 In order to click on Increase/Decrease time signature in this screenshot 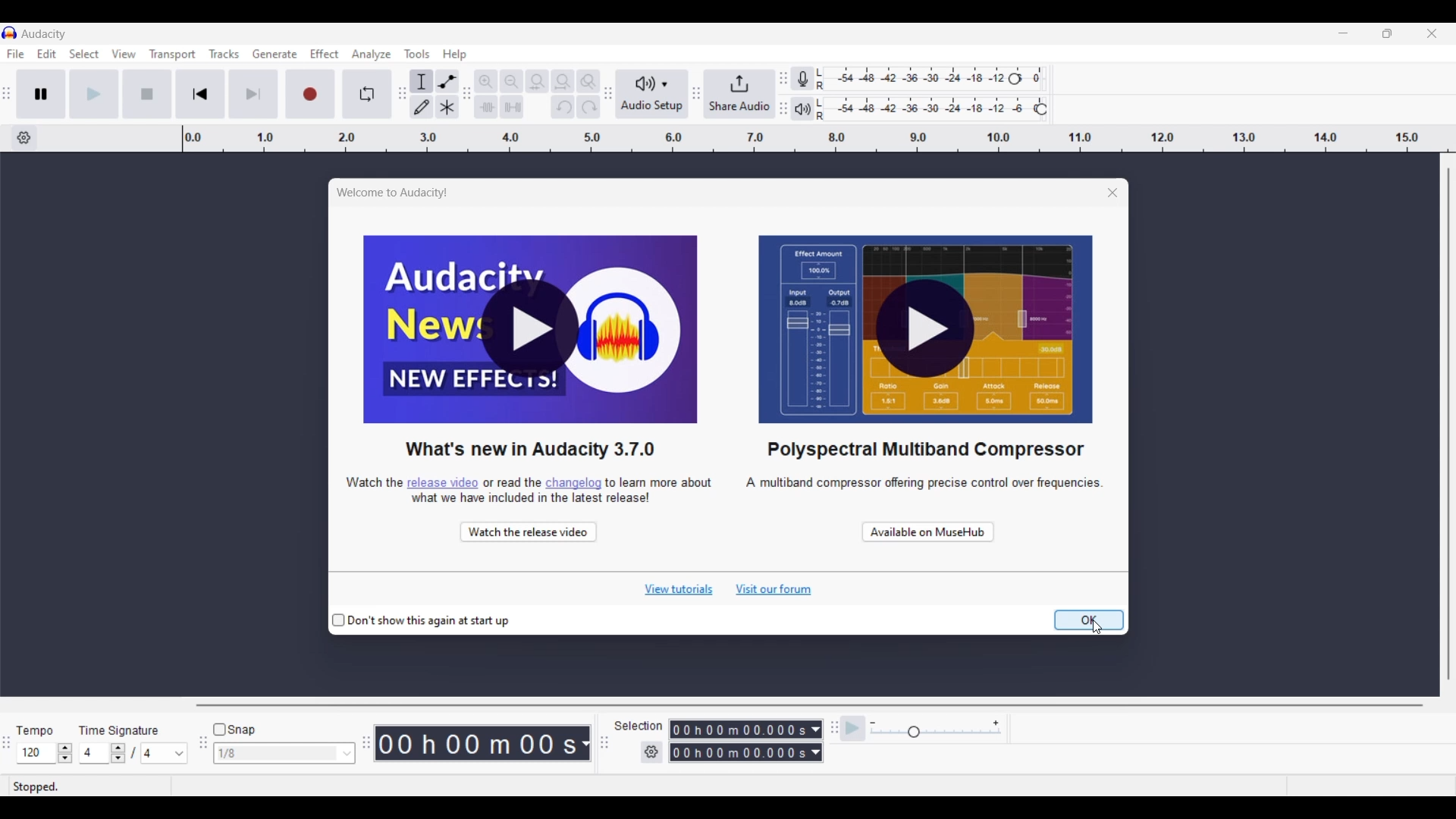, I will do `click(118, 754)`.